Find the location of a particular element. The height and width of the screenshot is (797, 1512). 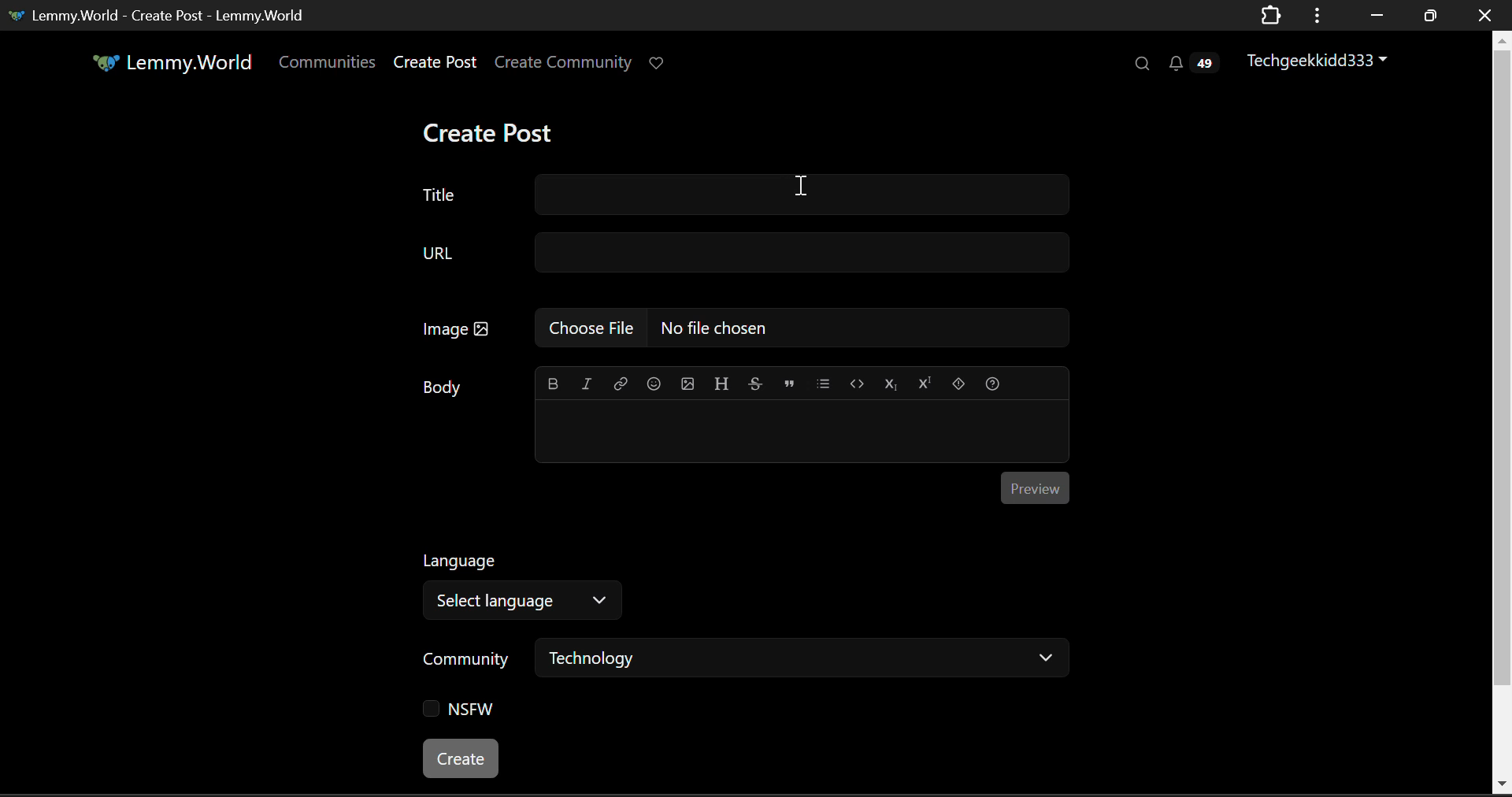

Create Community Page Link is located at coordinates (563, 61).